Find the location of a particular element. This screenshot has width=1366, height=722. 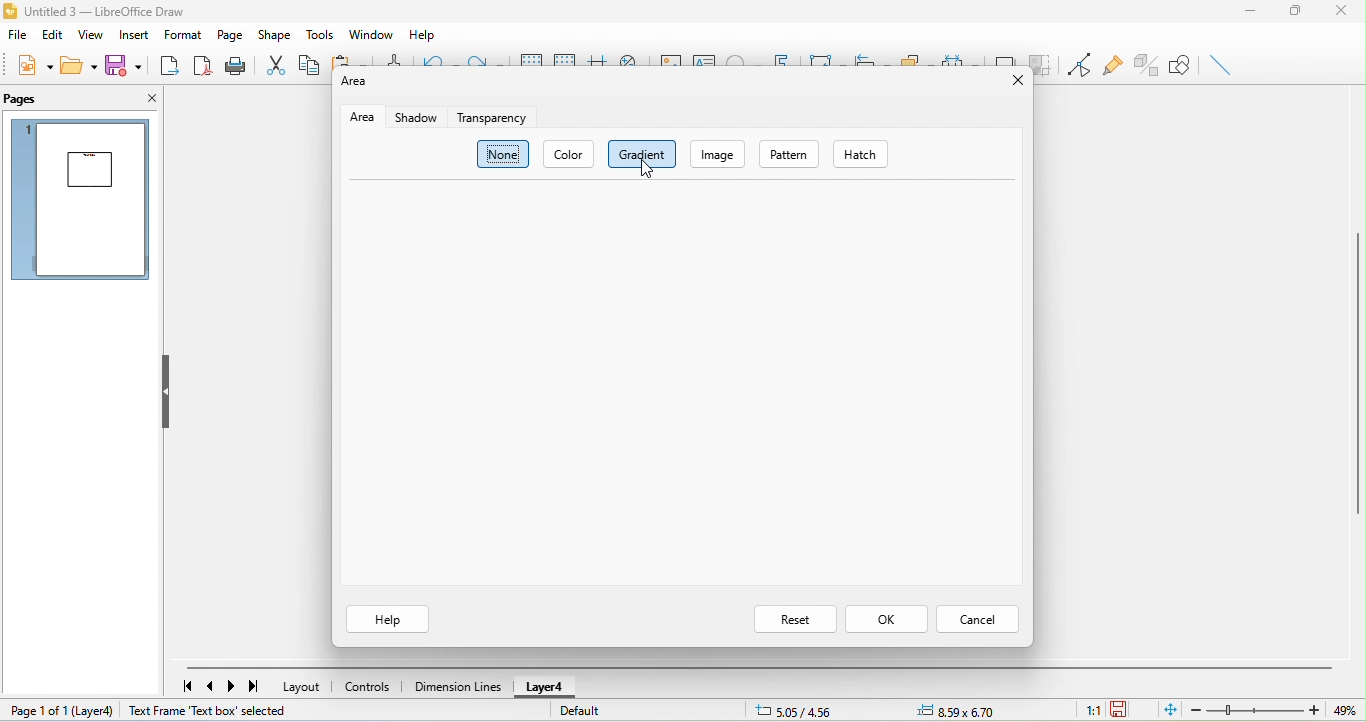

pages is located at coordinates (31, 102).